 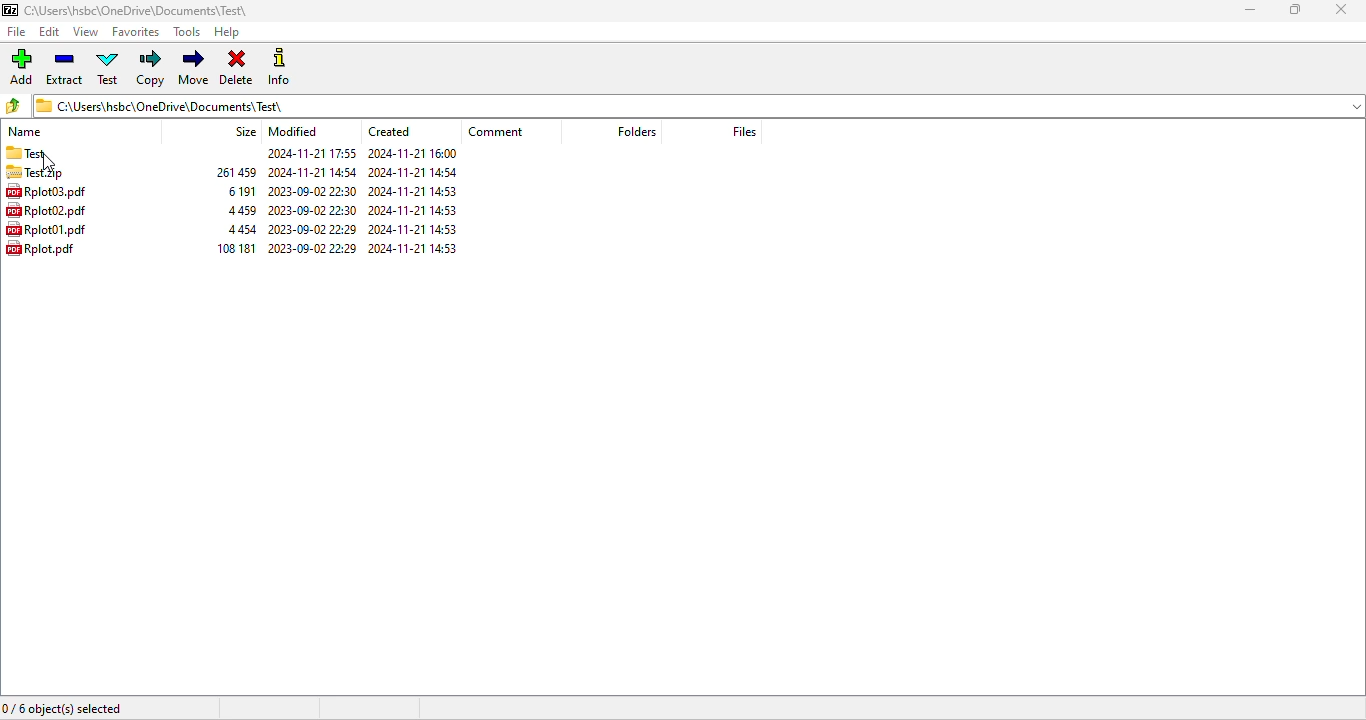 I want to click on 0/6 object(s) selected, so click(x=62, y=709).